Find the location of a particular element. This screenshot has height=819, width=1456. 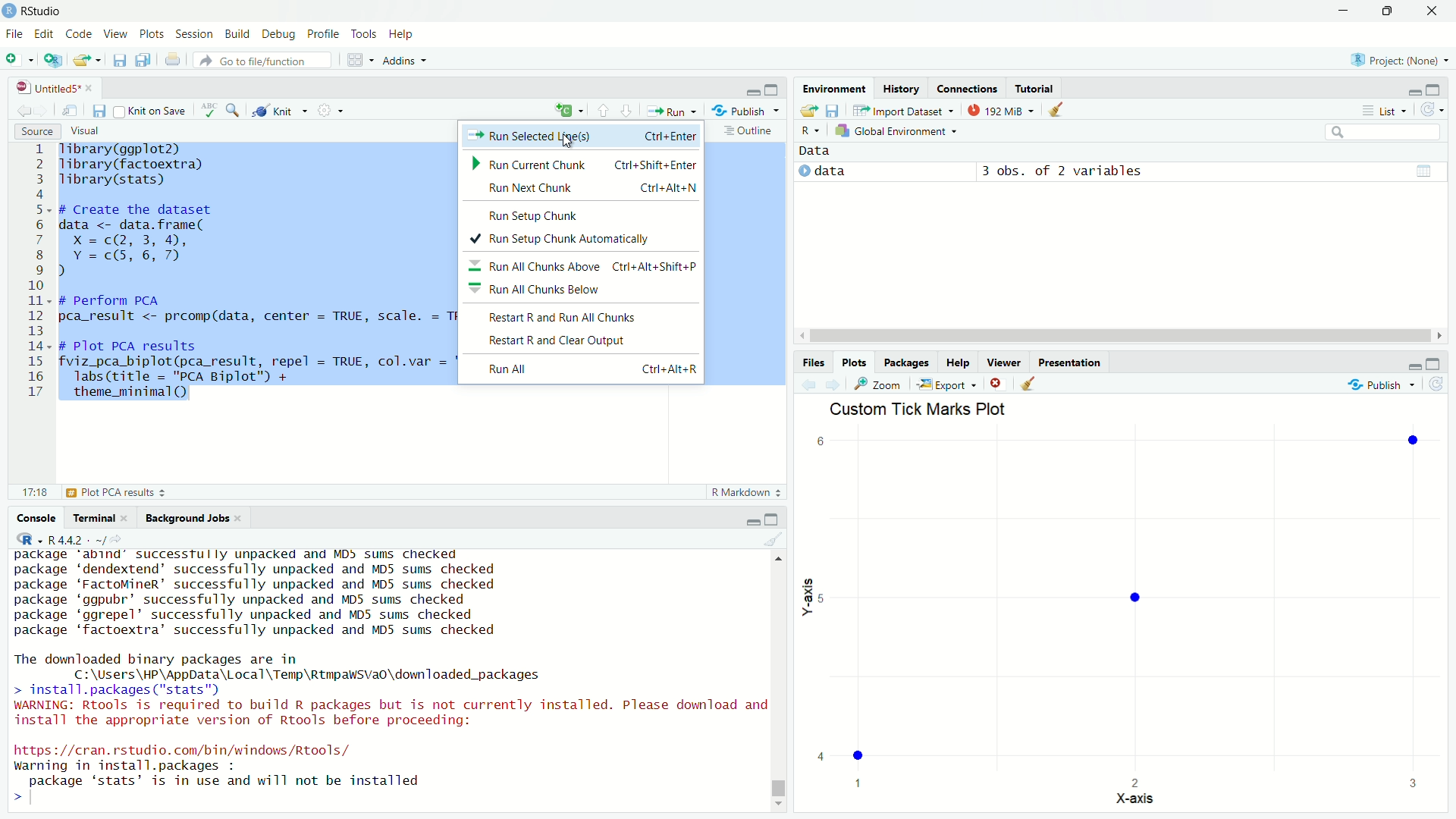

go forward to the next source is located at coordinates (43, 111).